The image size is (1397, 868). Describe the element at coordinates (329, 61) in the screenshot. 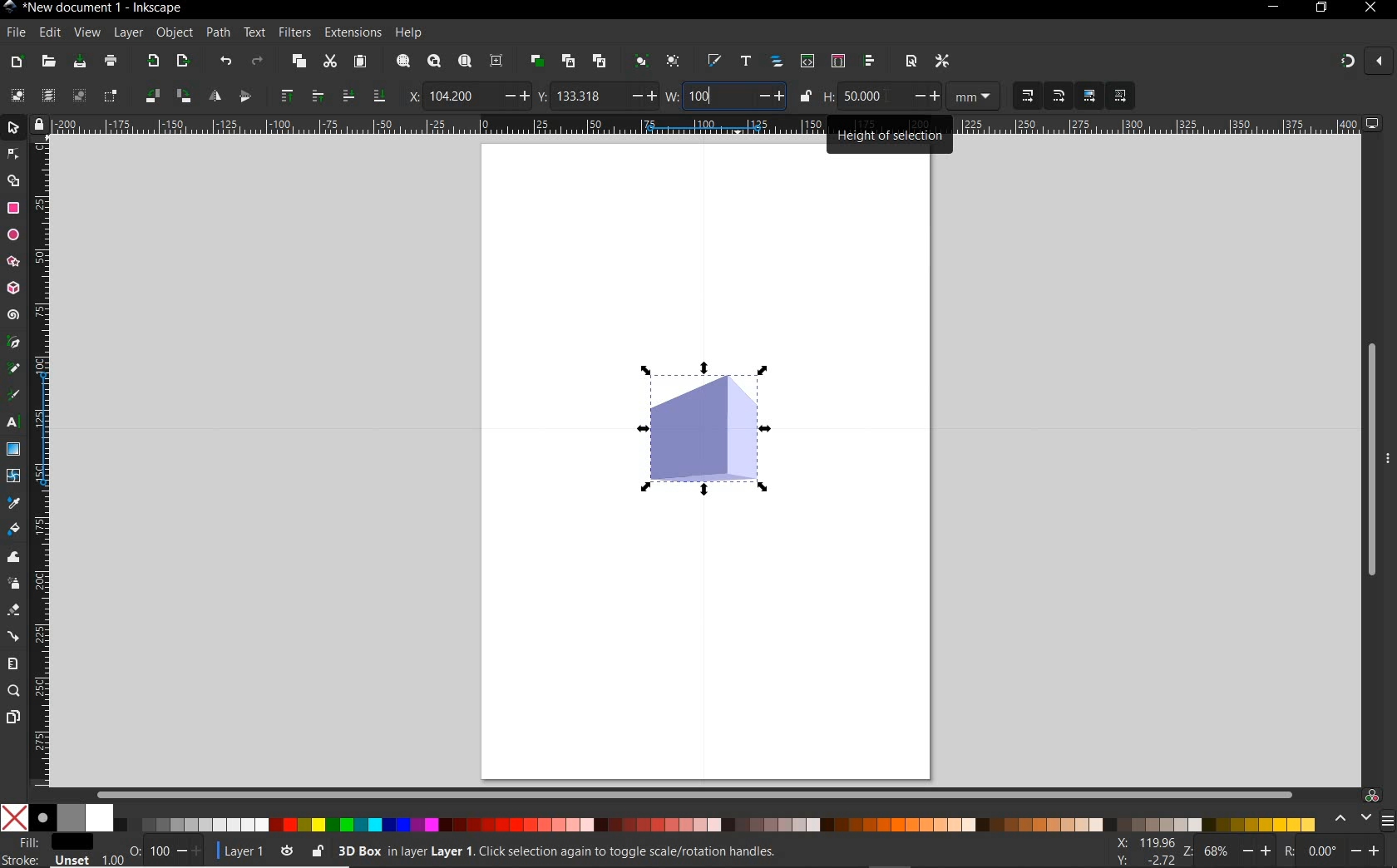

I see `cut` at that location.